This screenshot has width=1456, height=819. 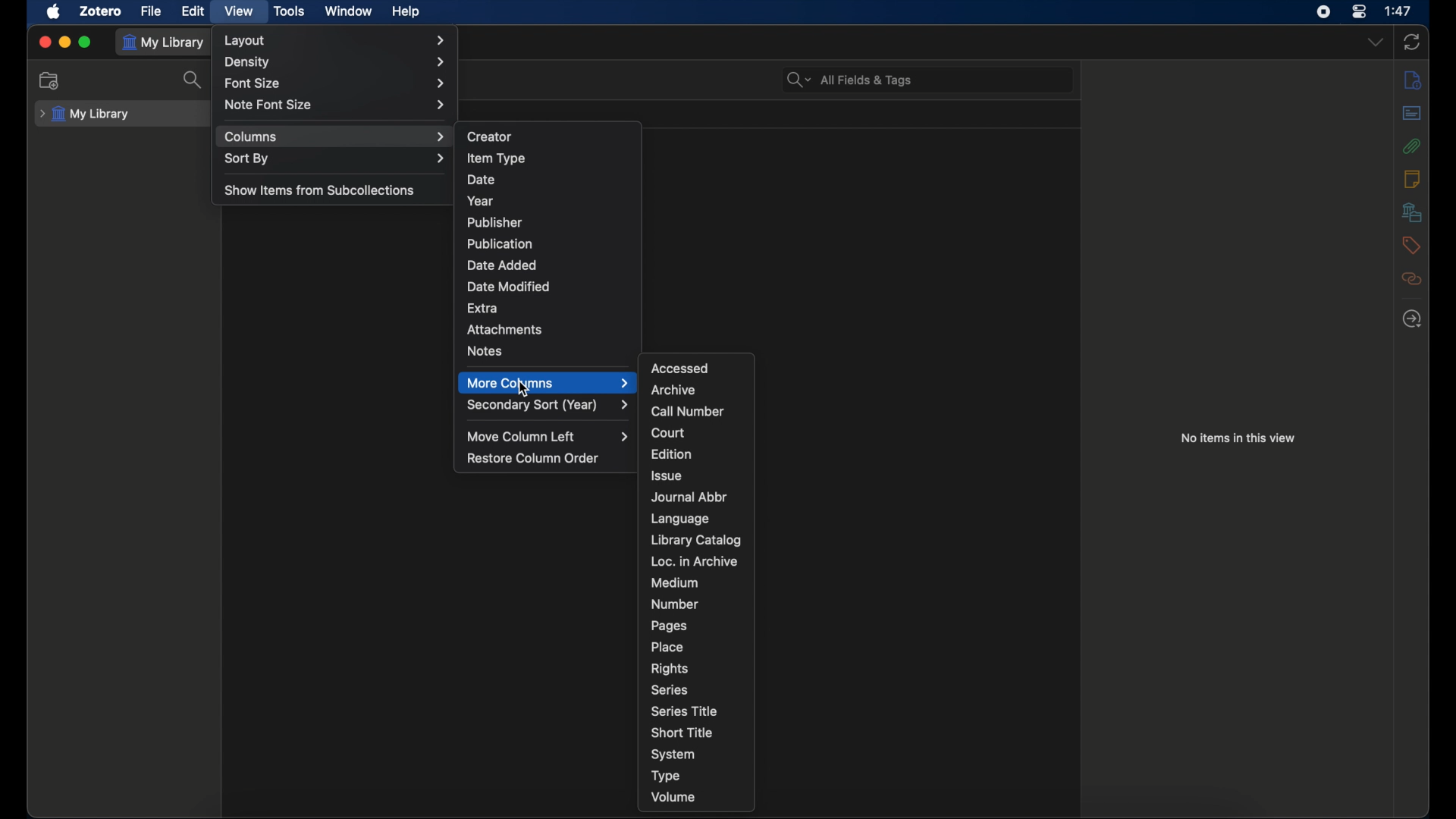 I want to click on dropdown, so click(x=1376, y=42).